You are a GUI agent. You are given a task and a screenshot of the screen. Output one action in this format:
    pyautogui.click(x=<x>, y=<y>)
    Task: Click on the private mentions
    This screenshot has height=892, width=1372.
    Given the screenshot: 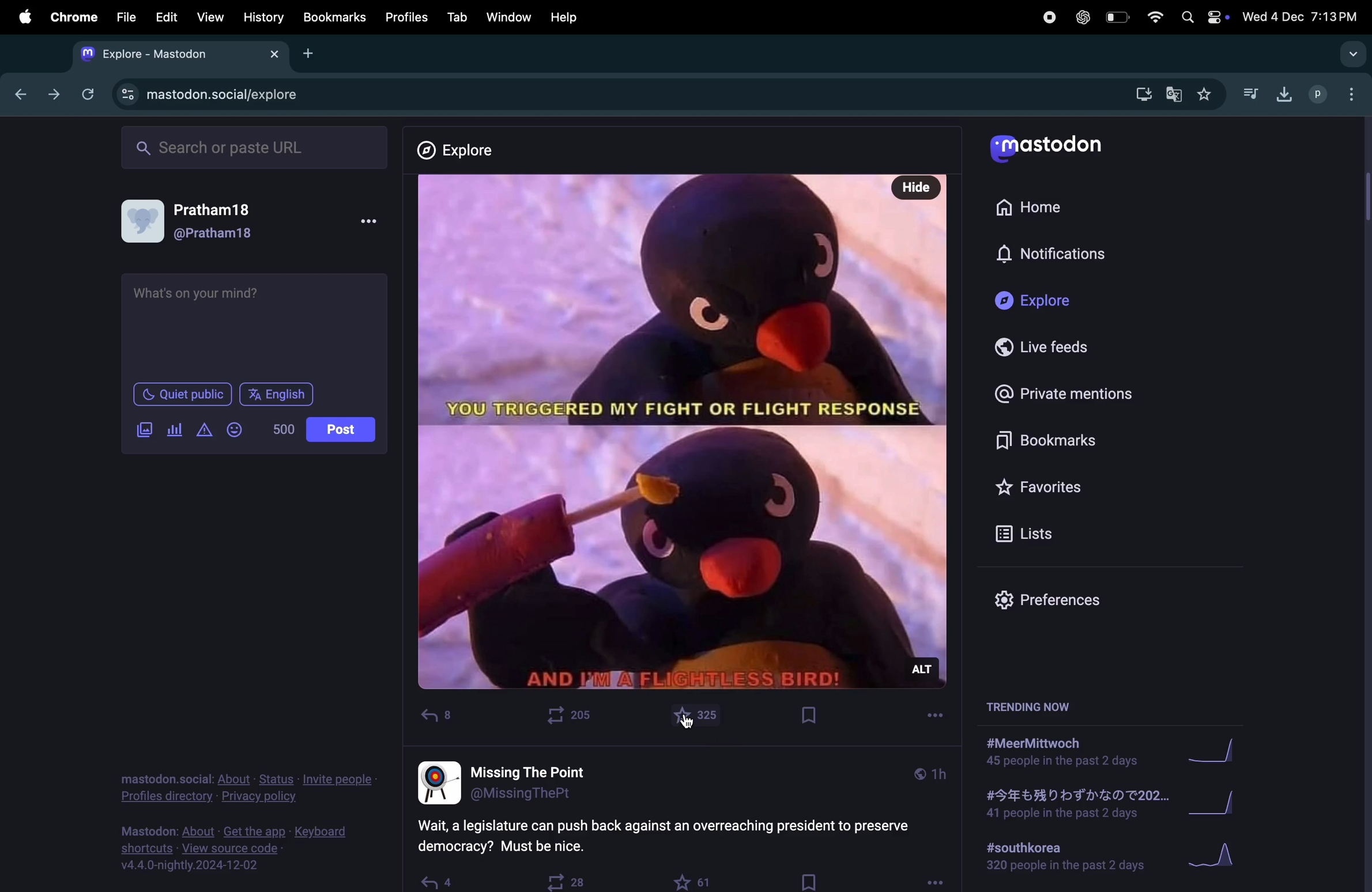 What is the action you would take?
    pyautogui.click(x=1072, y=395)
    